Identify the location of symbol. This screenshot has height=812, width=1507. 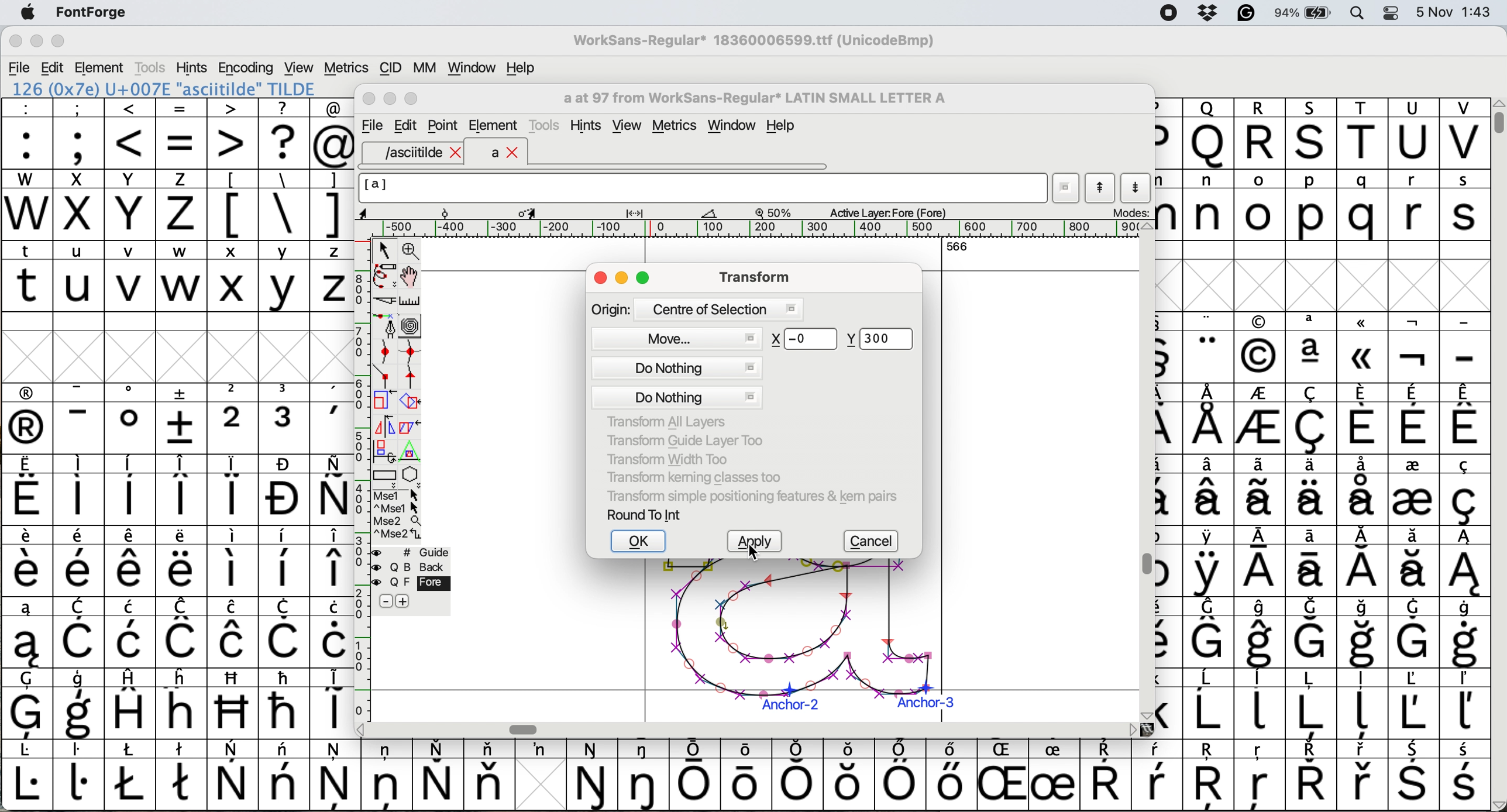
(183, 773).